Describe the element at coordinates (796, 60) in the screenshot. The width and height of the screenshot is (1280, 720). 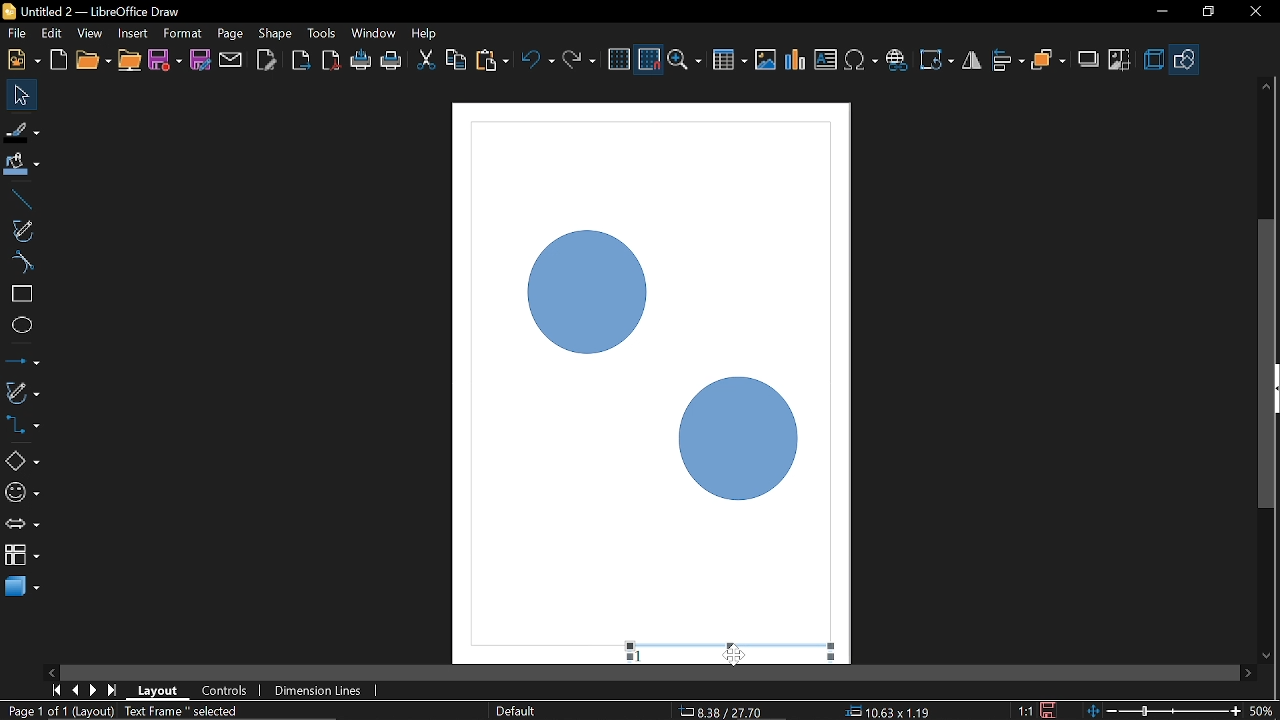
I see `Diagram` at that location.